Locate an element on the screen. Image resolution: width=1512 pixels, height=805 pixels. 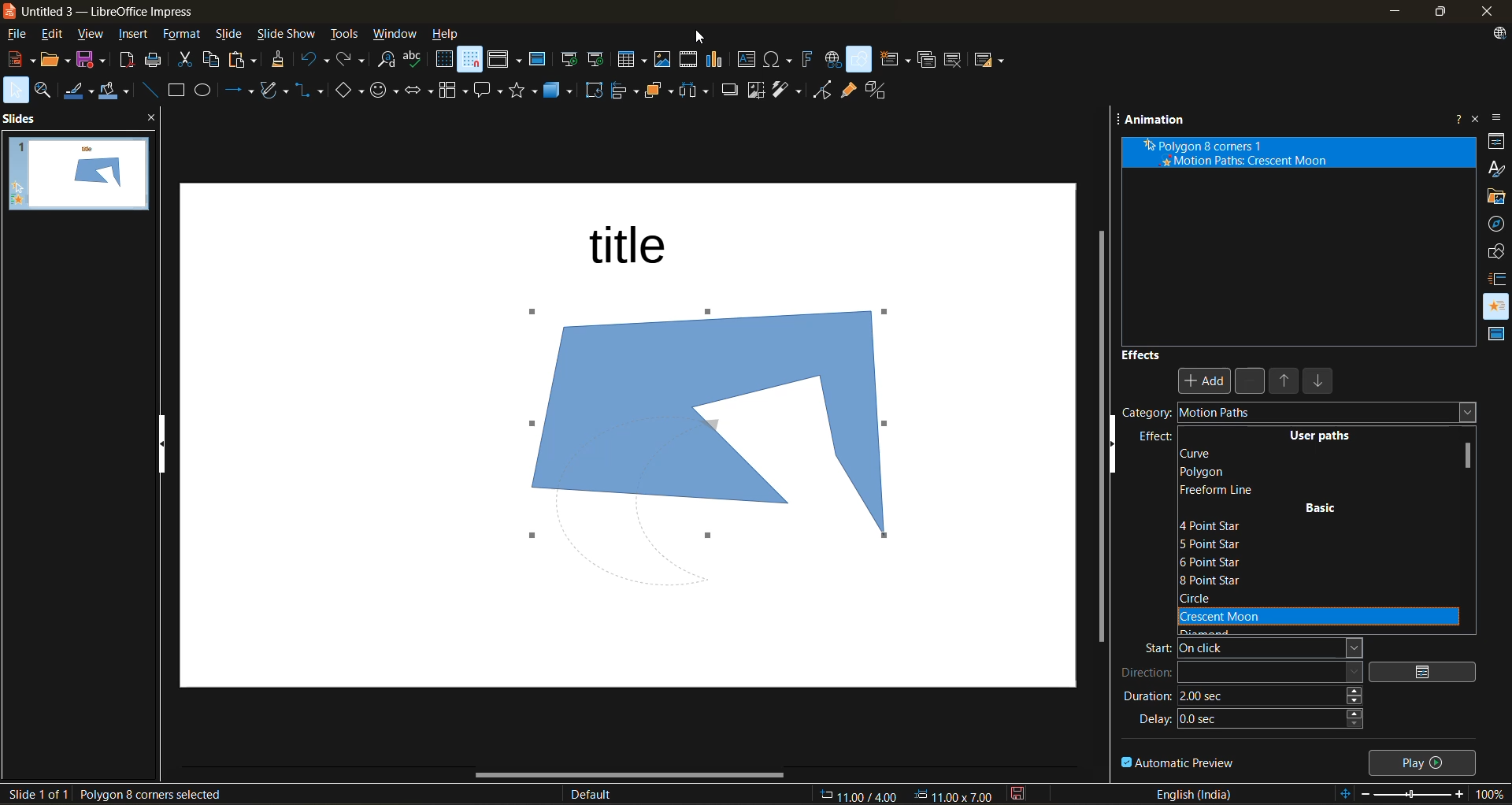
snap to grid is located at coordinates (469, 61).